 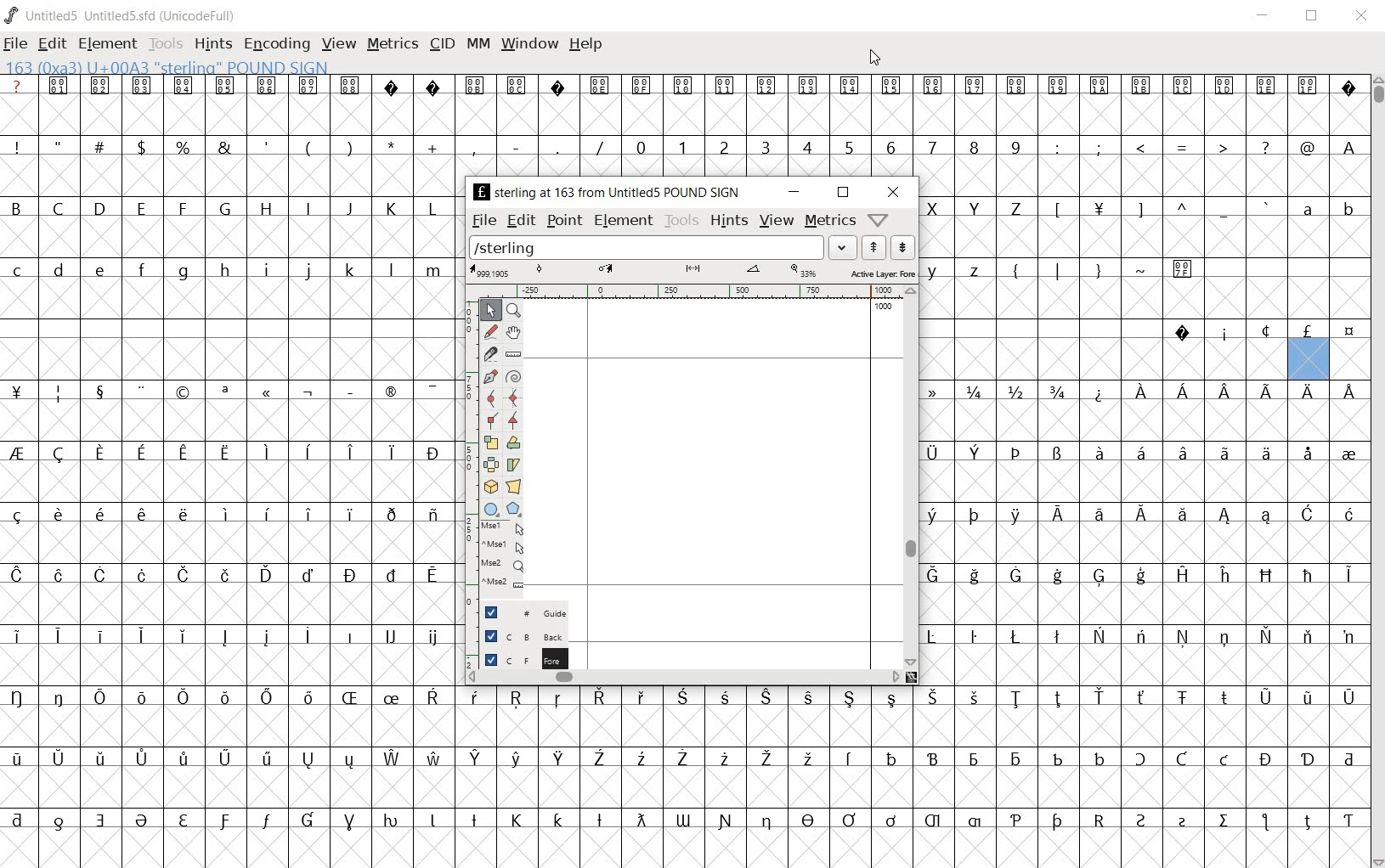 I want to click on Y, so click(x=973, y=208).